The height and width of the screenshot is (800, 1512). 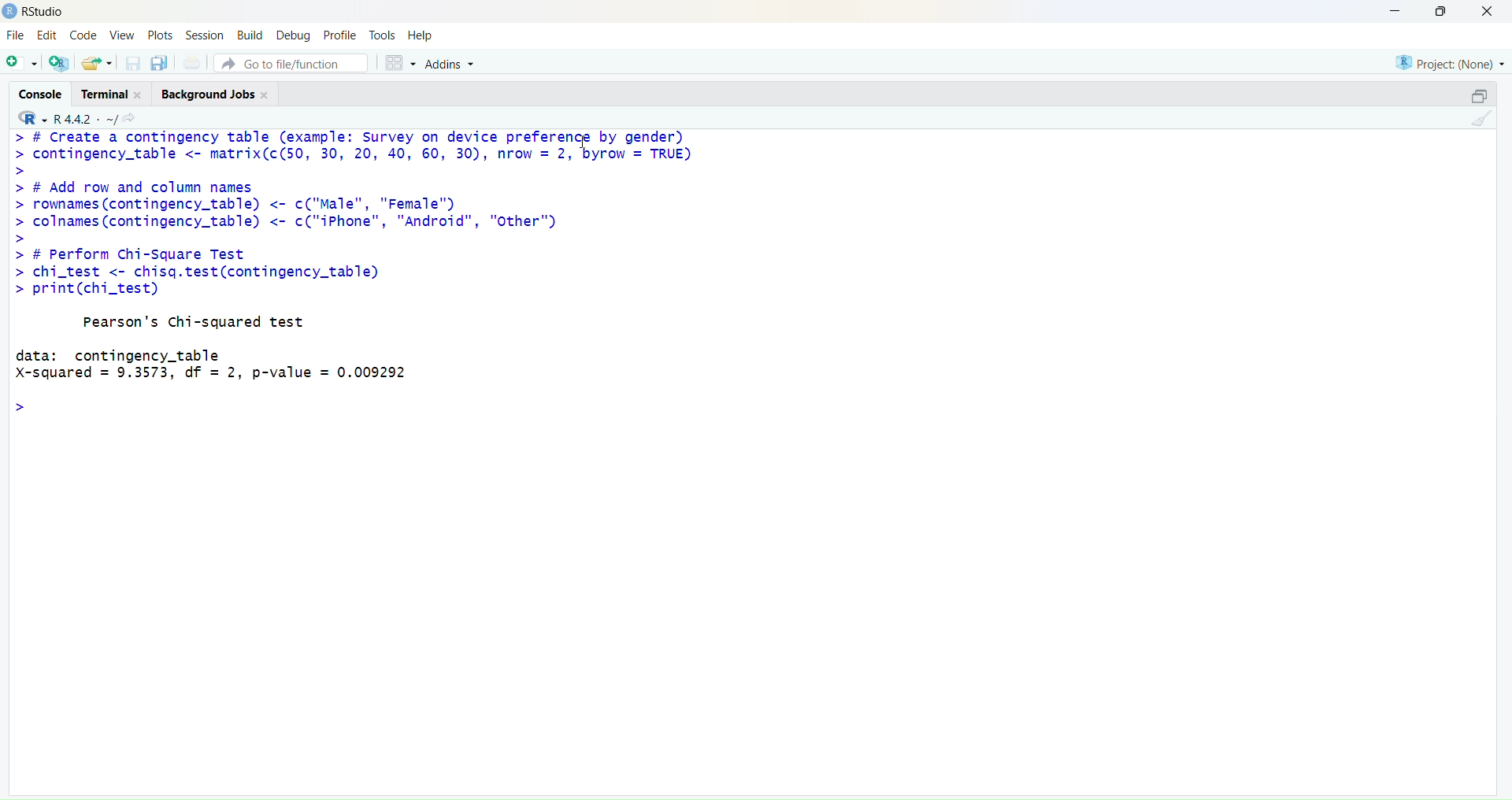 What do you see at coordinates (123, 35) in the screenshot?
I see `View` at bounding box center [123, 35].